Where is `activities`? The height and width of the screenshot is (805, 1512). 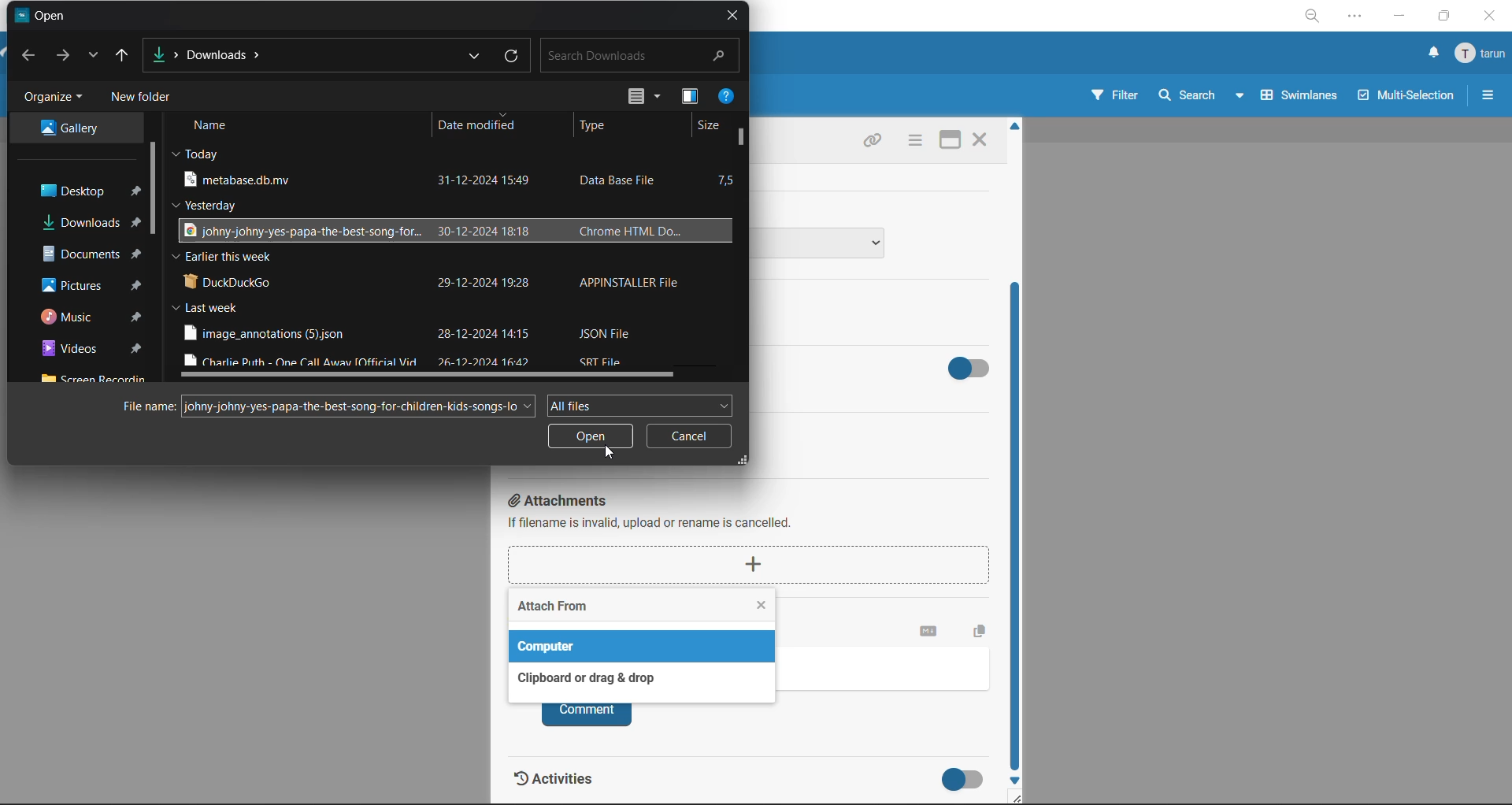 activities is located at coordinates (567, 783).